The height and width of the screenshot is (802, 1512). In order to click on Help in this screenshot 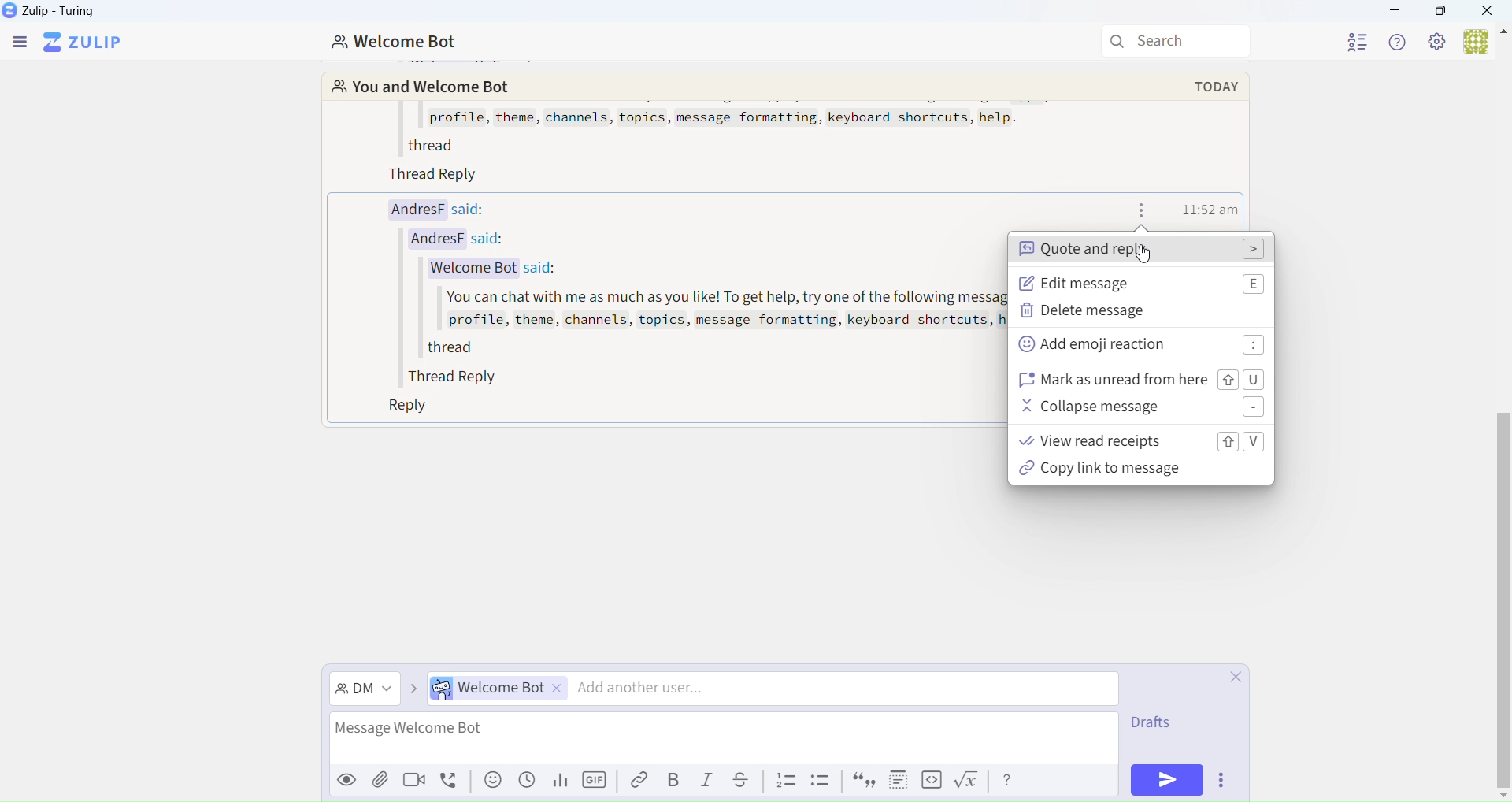, I will do `click(1395, 43)`.